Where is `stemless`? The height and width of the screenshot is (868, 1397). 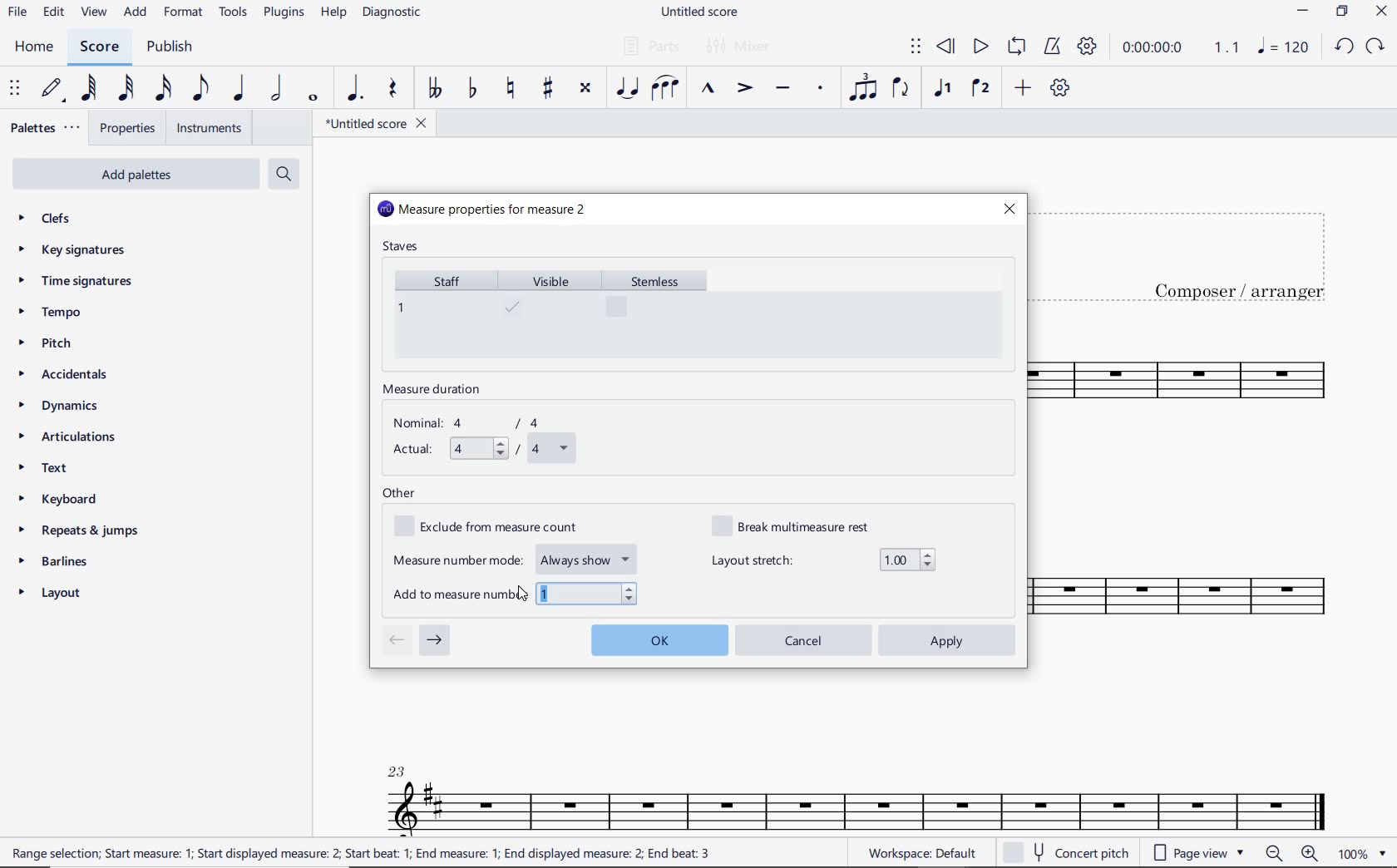
stemless is located at coordinates (662, 313).